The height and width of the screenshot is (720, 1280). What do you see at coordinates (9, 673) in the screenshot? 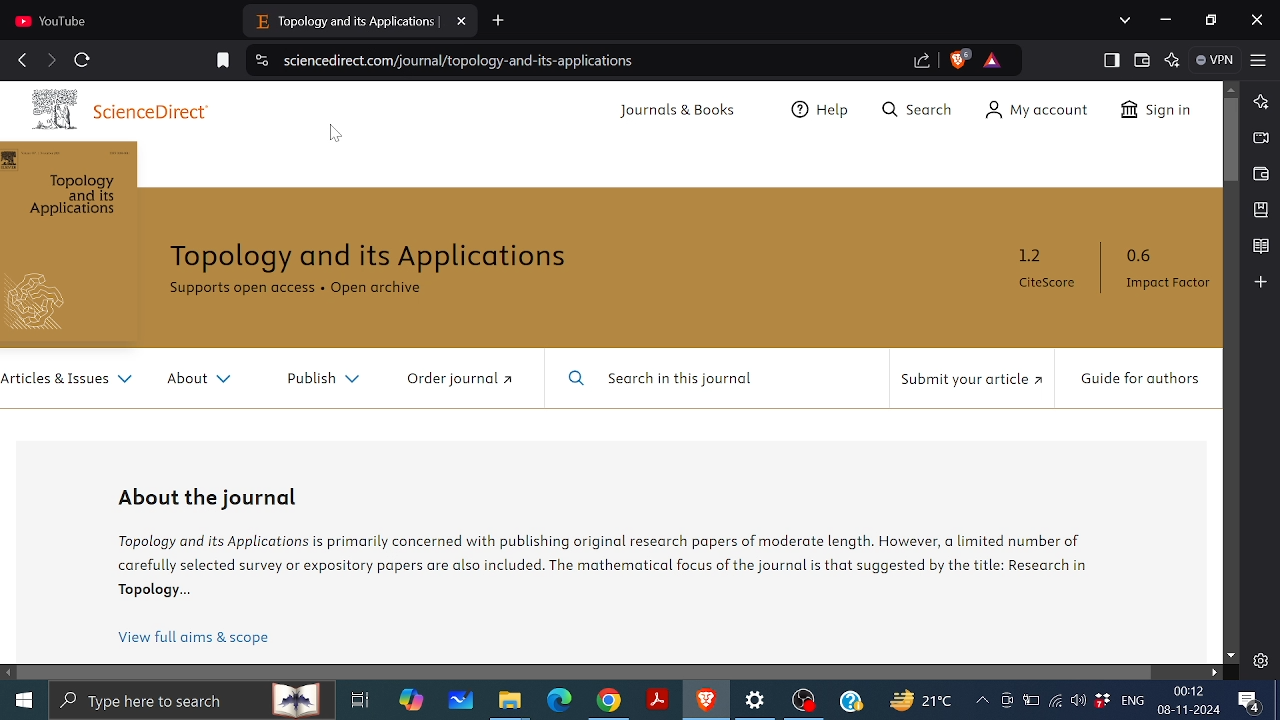
I see `Move left` at bounding box center [9, 673].